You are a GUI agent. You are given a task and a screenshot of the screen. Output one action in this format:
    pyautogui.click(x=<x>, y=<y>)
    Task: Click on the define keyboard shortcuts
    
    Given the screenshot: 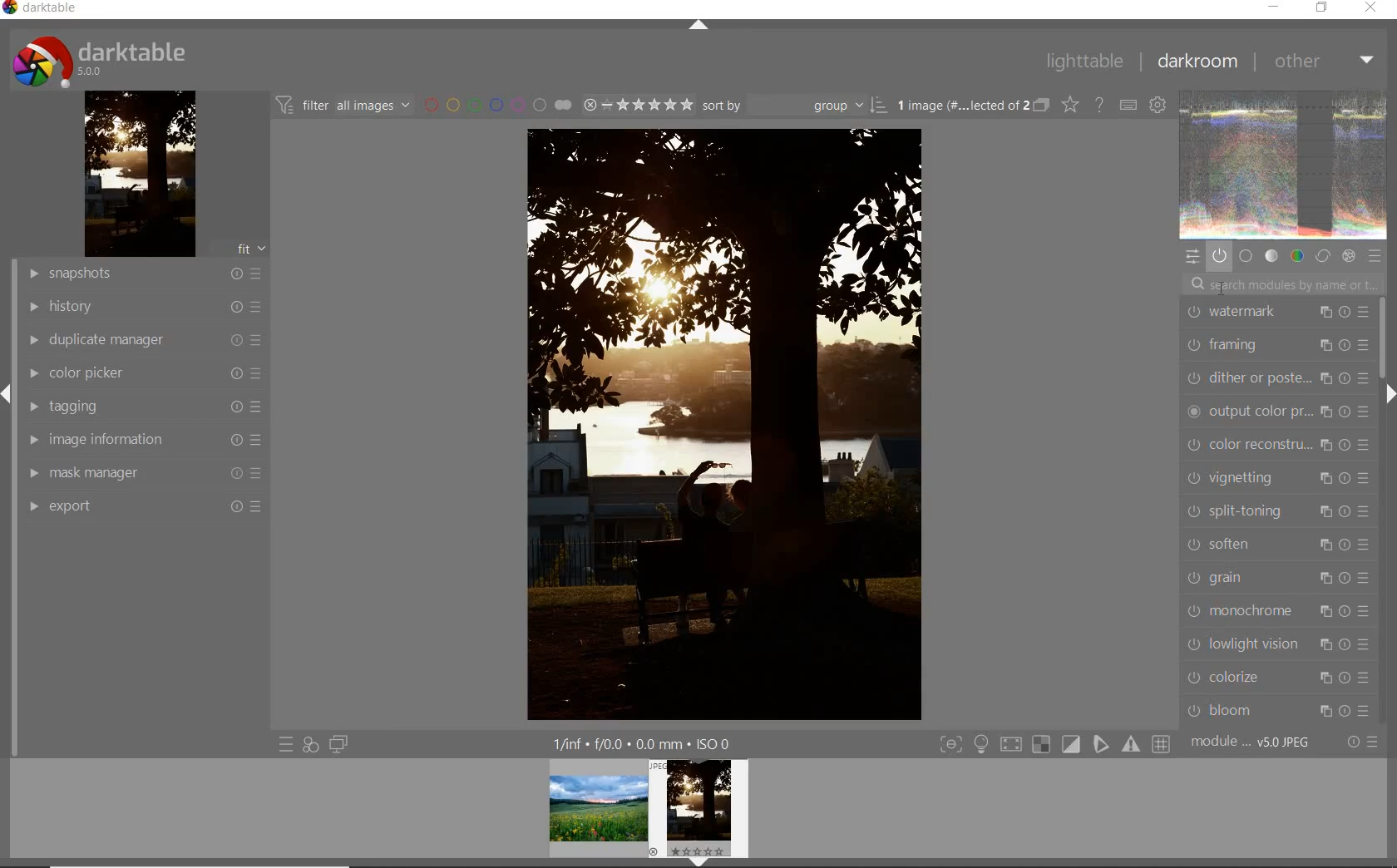 What is the action you would take?
    pyautogui.click(x=1159, y=104)
    